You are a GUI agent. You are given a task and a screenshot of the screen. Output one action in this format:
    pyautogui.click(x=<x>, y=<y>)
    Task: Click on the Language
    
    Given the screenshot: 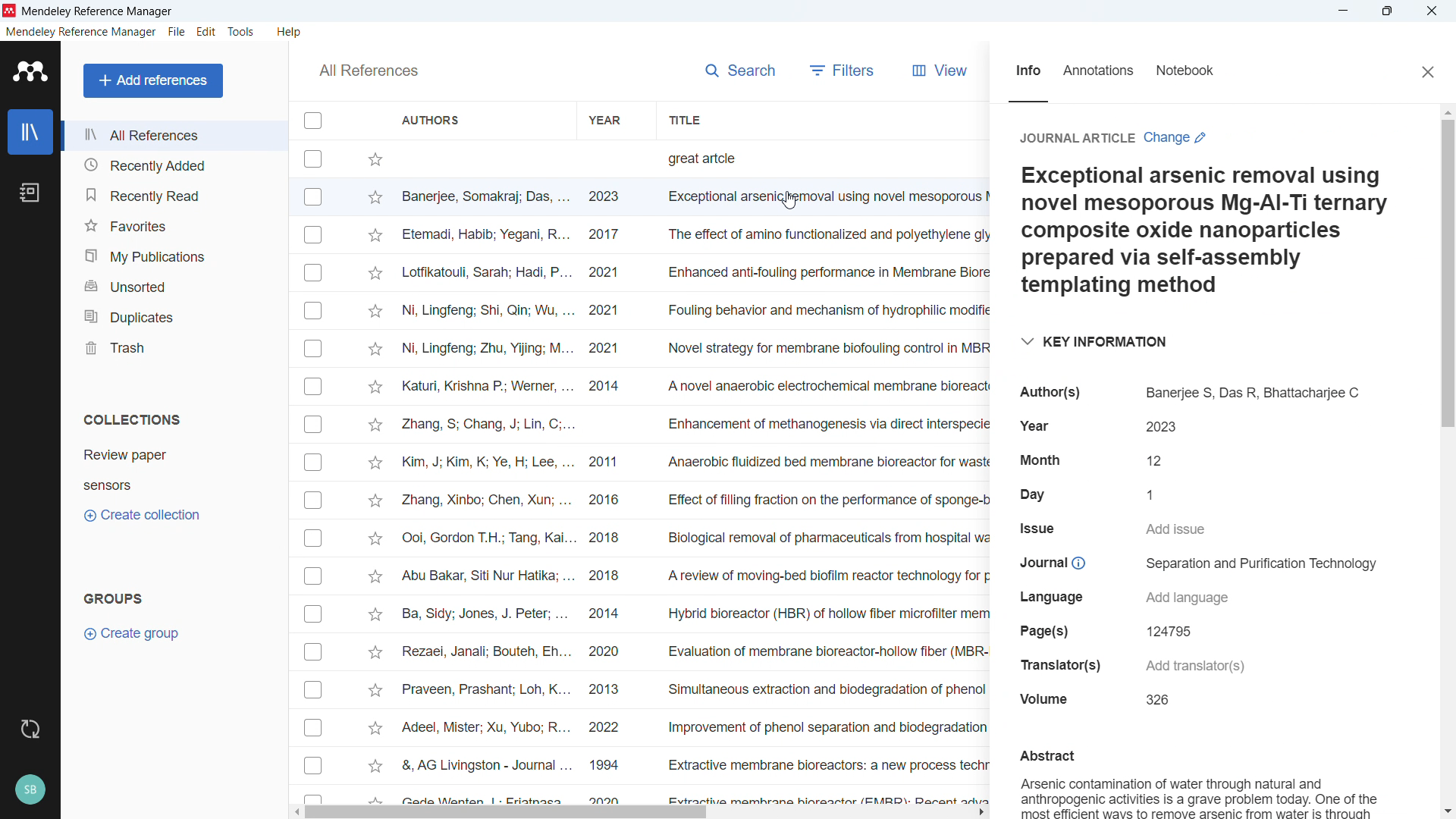 What is the action you would take?
    pyautogui.click(x=1046, y=598)
    